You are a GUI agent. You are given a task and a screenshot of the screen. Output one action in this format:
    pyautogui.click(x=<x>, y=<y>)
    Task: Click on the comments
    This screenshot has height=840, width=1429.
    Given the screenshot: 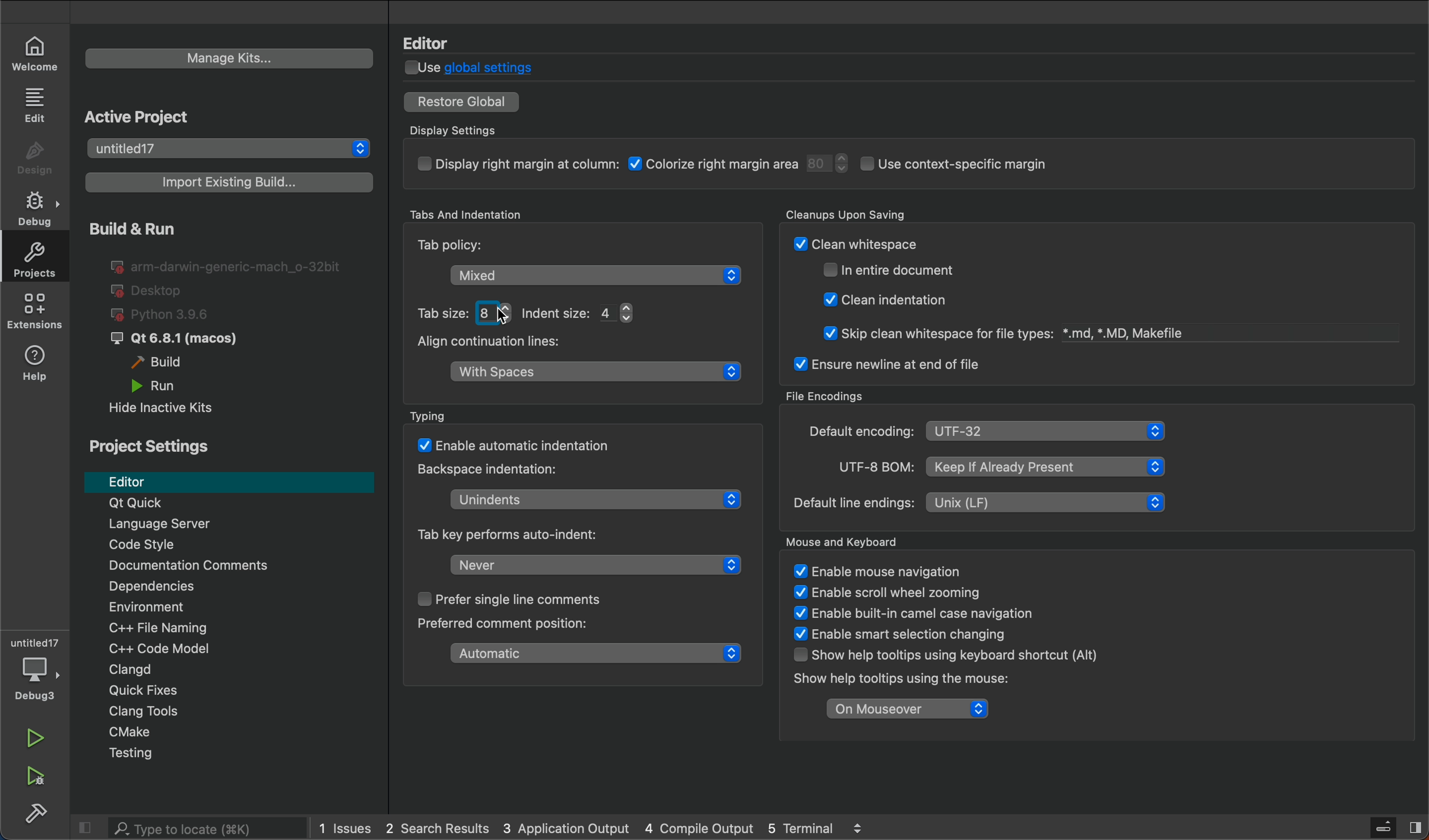 What is the action you would take?
    pyautogui.click(x=240, y=566)
    